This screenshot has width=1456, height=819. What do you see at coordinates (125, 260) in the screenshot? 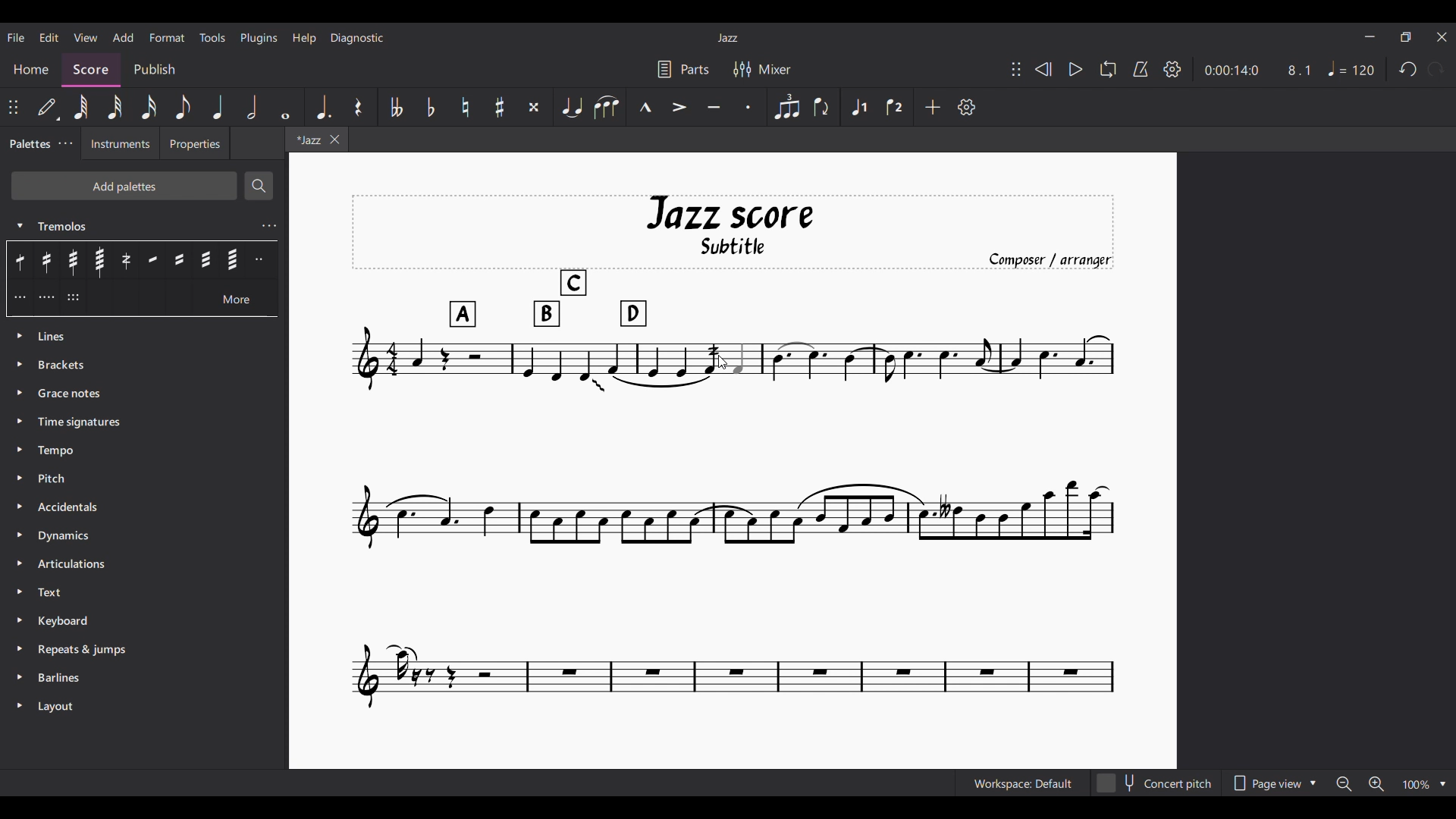
I see `Buzz roll, selection highlighted` at bounding box center [125, 260].